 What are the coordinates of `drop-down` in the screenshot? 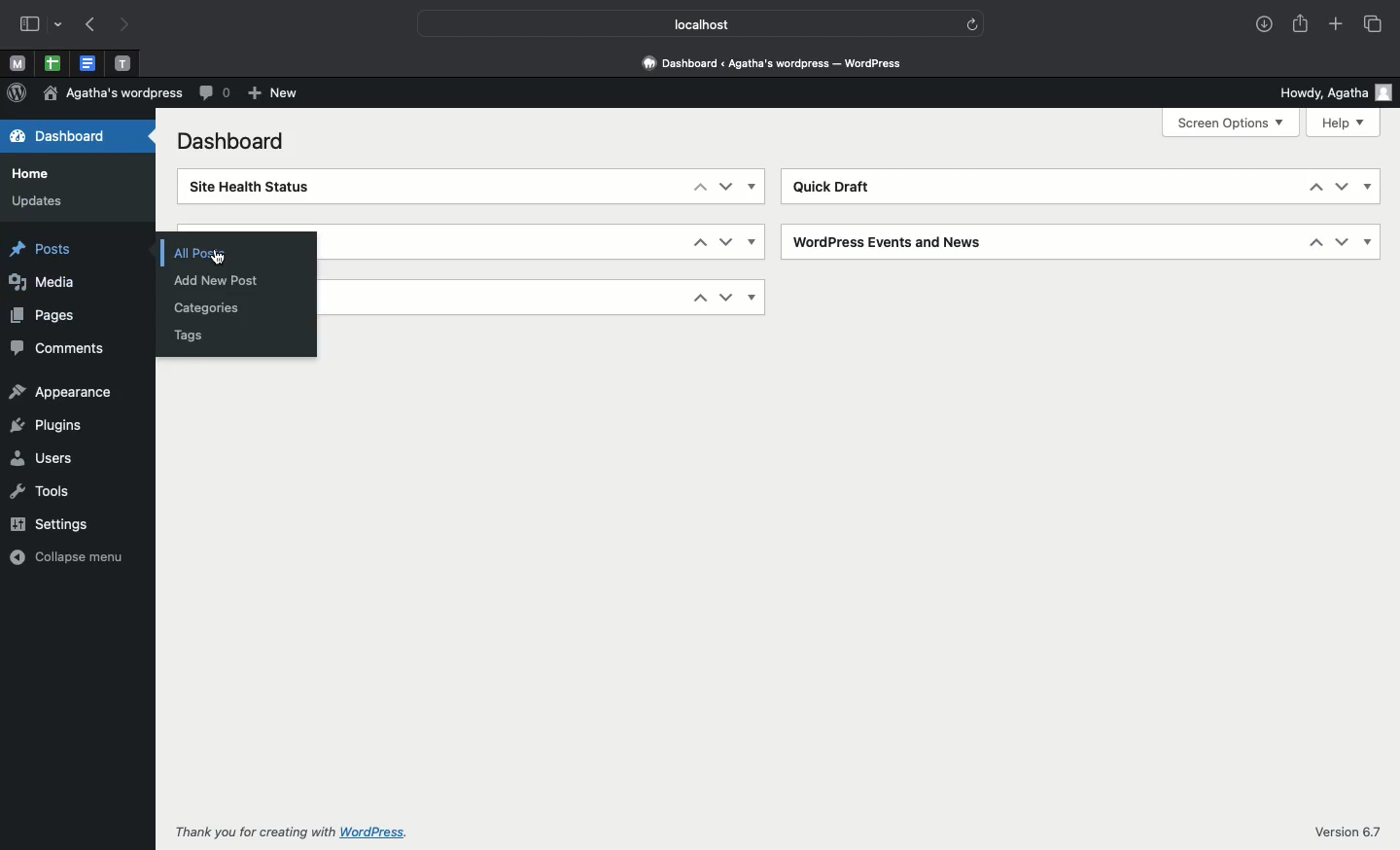 It's located at (60, 22).